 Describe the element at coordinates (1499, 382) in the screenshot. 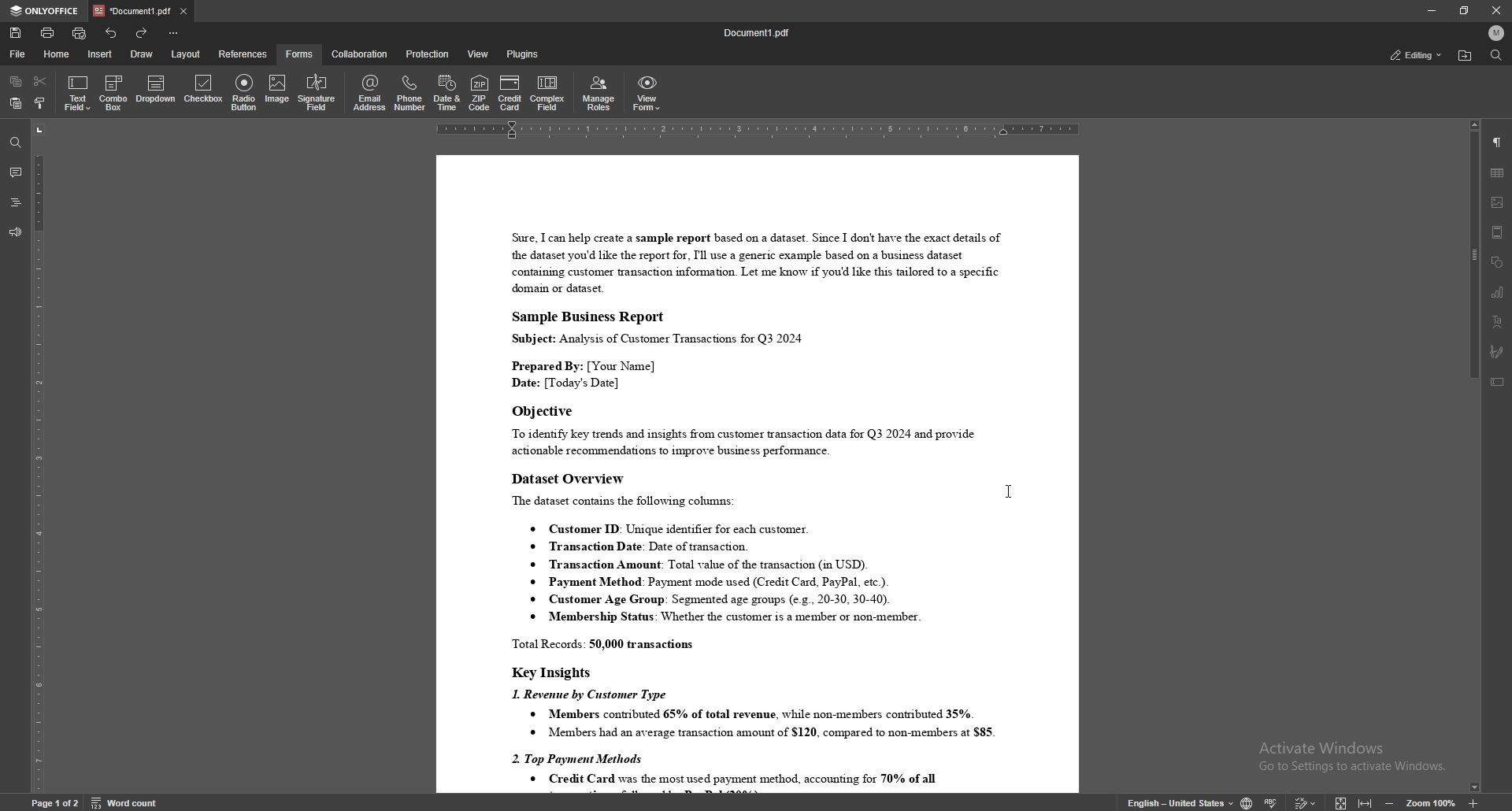

I see `text box` at that location.